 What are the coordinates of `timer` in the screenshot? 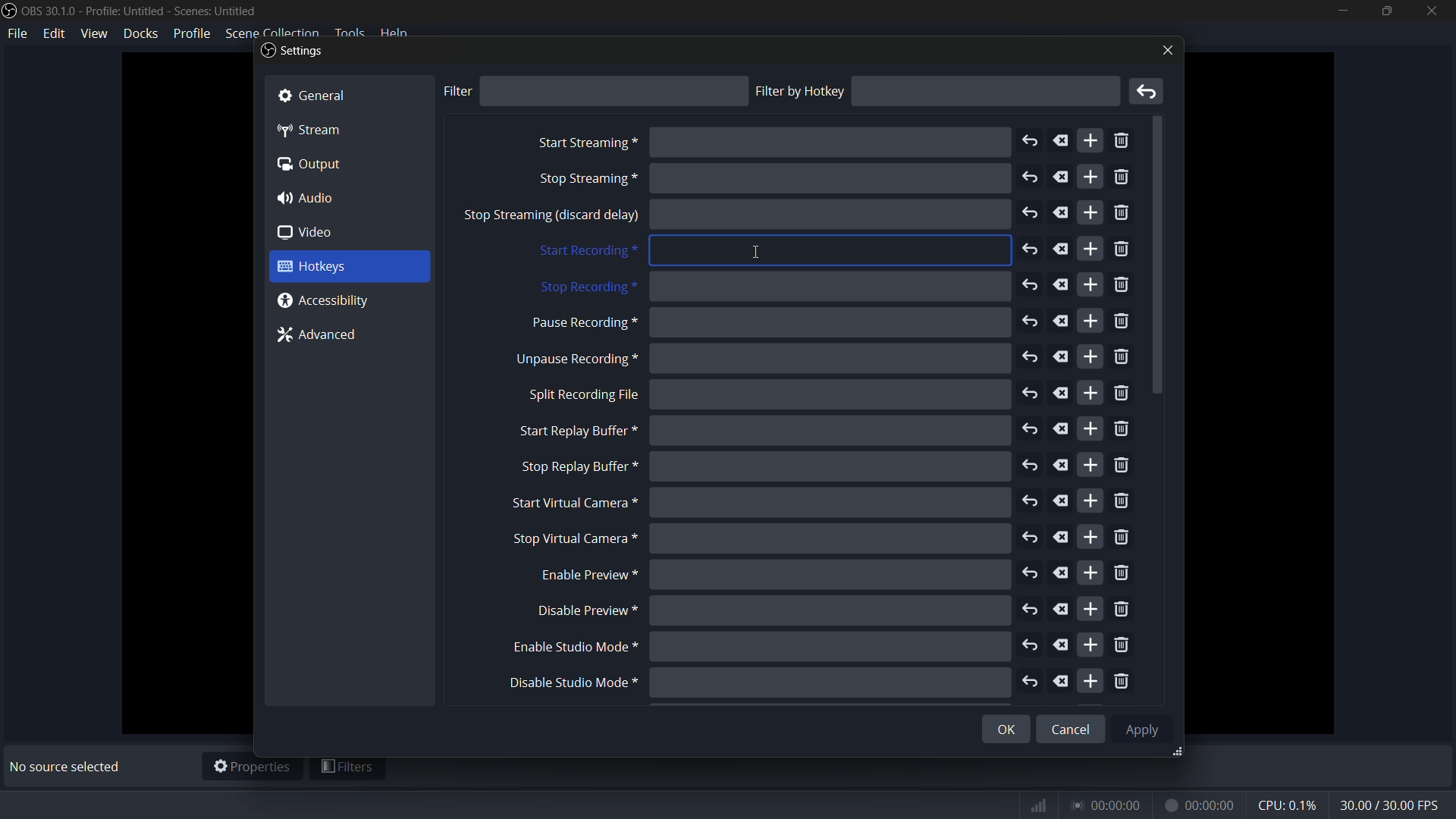 It's located at (1132, 805).